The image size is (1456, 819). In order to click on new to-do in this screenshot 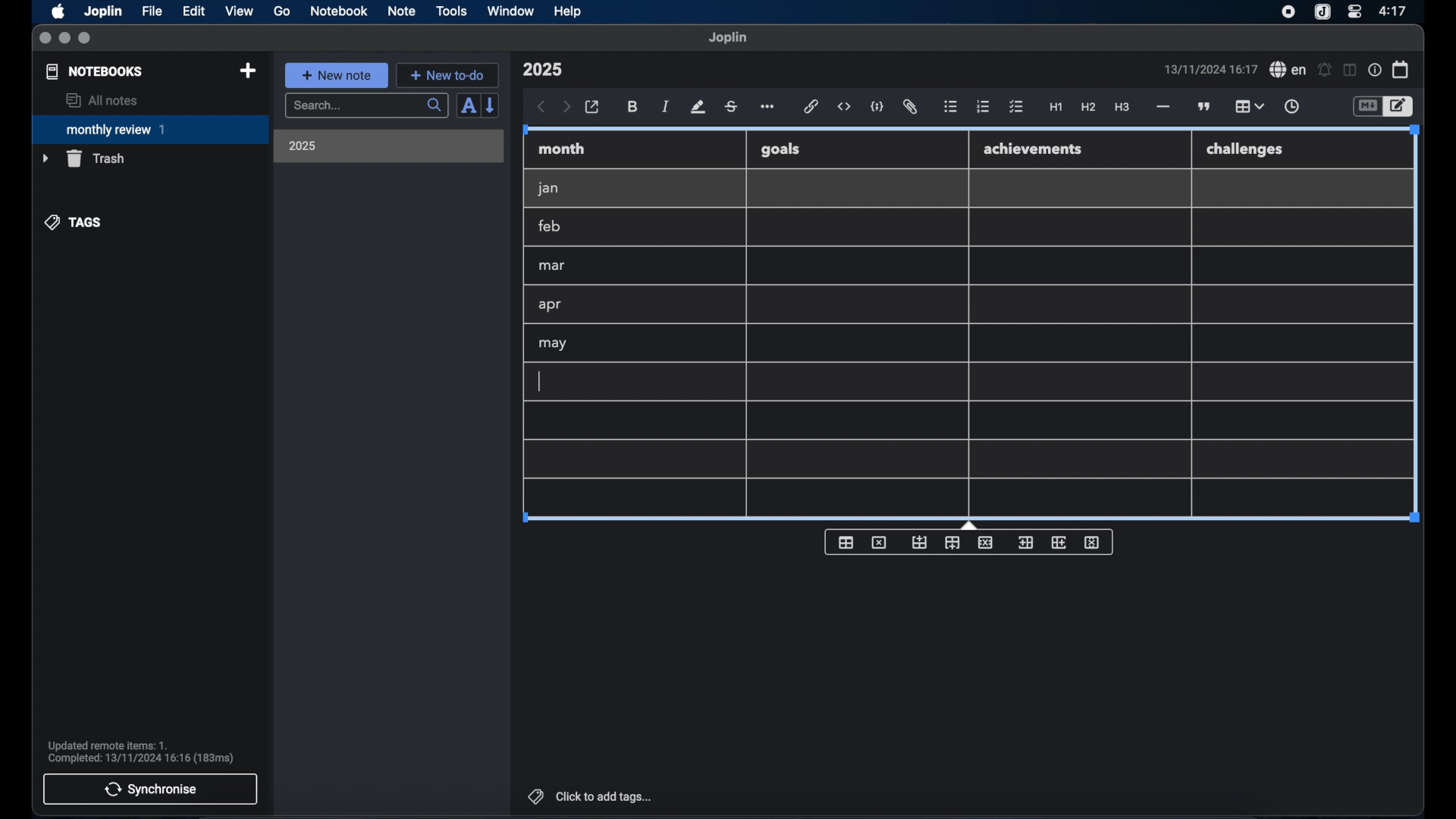, I will do `click(448, 75)`.